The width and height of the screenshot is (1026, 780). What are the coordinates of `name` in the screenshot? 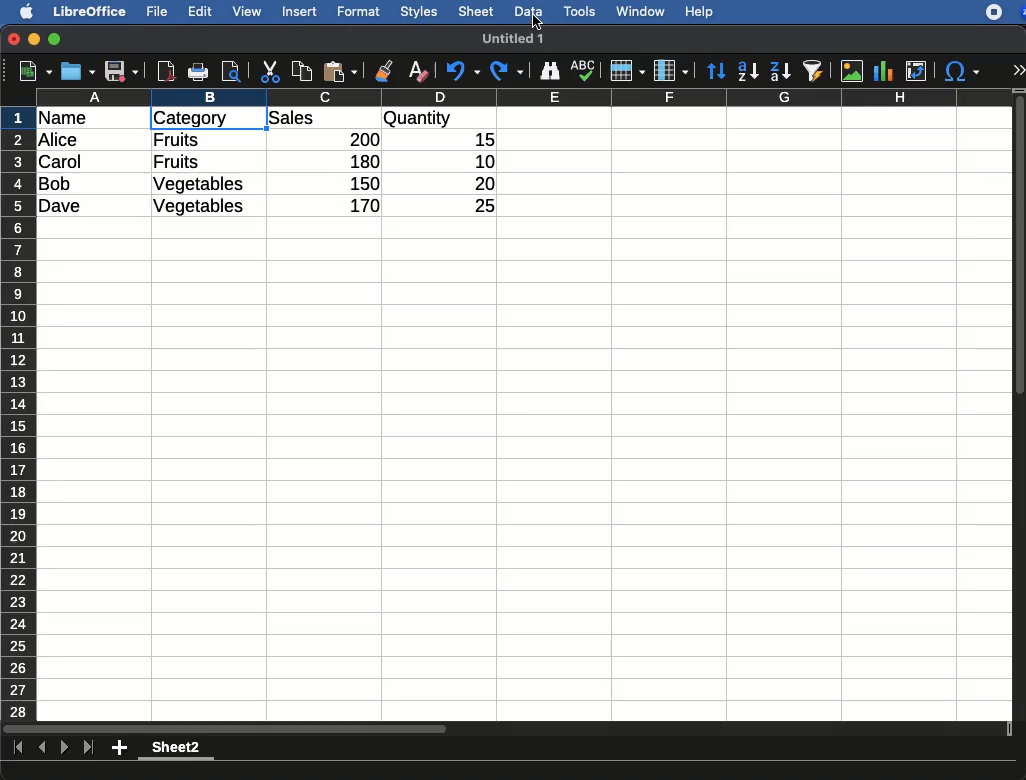 It's located at (68, 119).